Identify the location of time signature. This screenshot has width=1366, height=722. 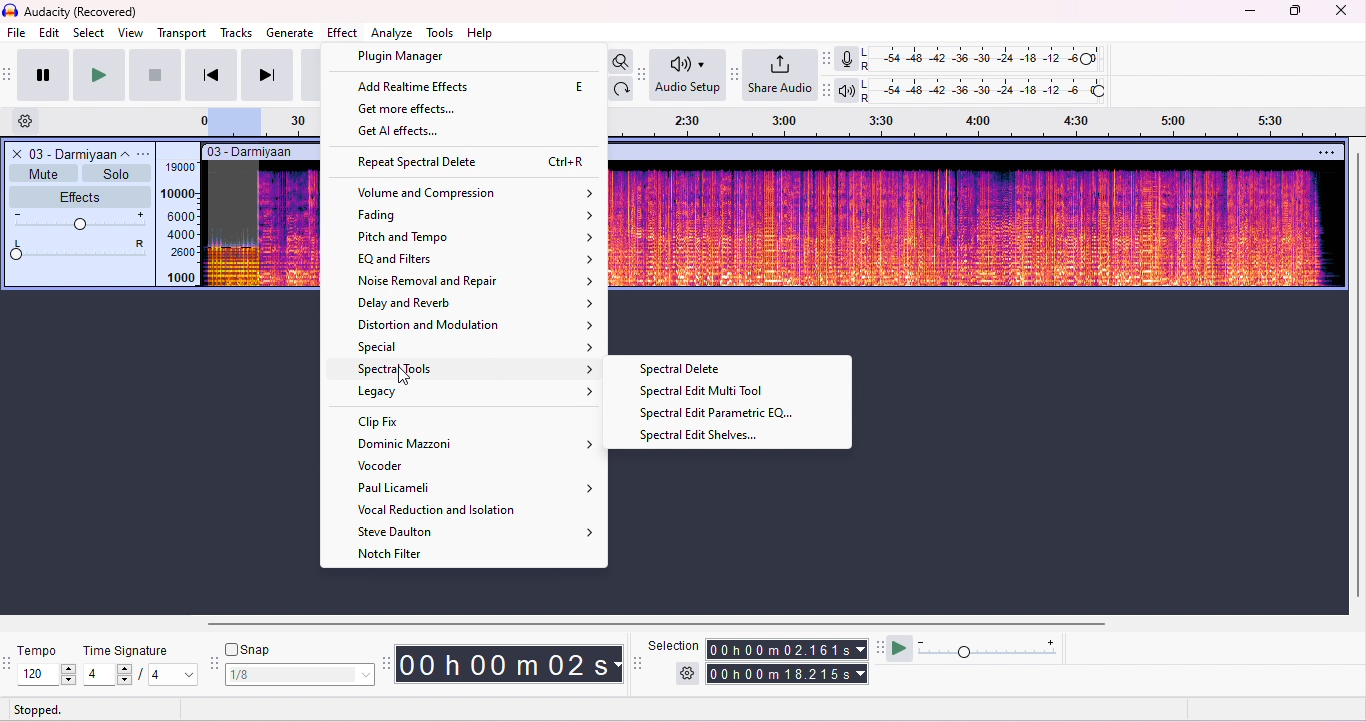
(124, 651).